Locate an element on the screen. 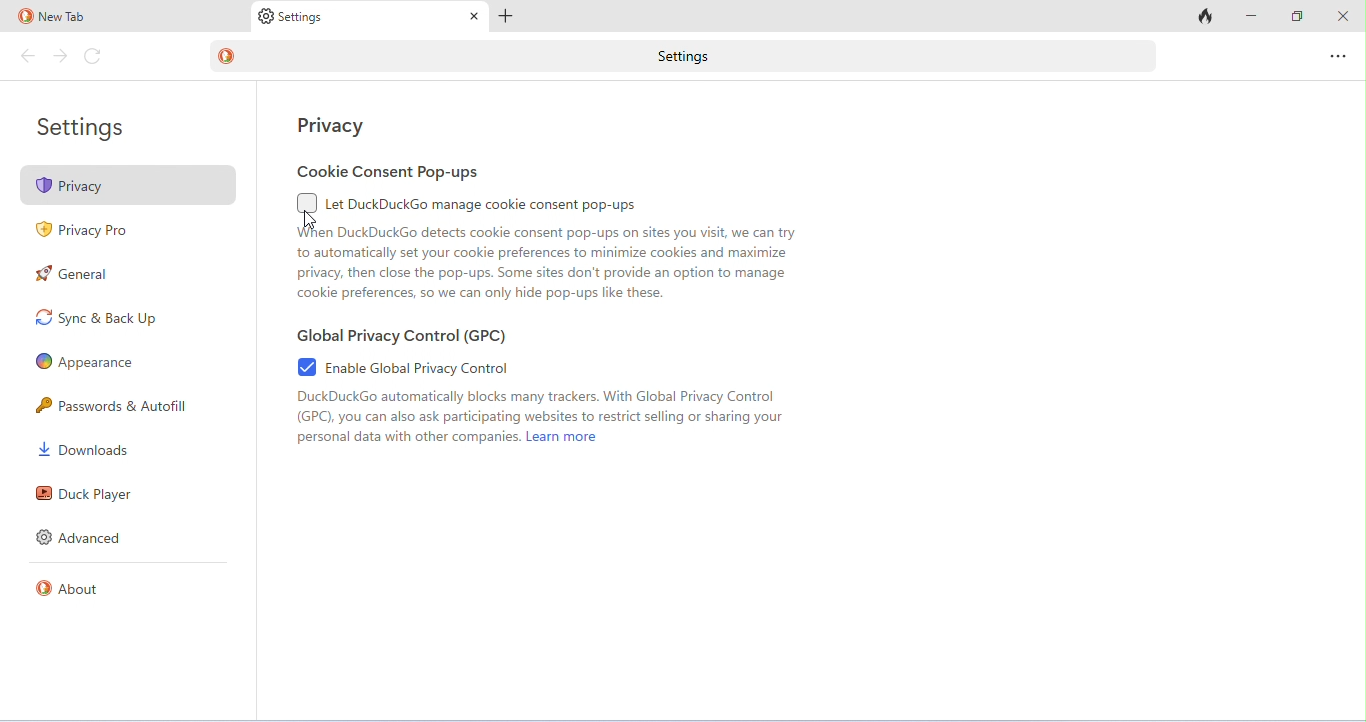 Image resolution: width=1366 pixels, height=722 pixels. enable global privacy control is located at coordinates (403, 366).